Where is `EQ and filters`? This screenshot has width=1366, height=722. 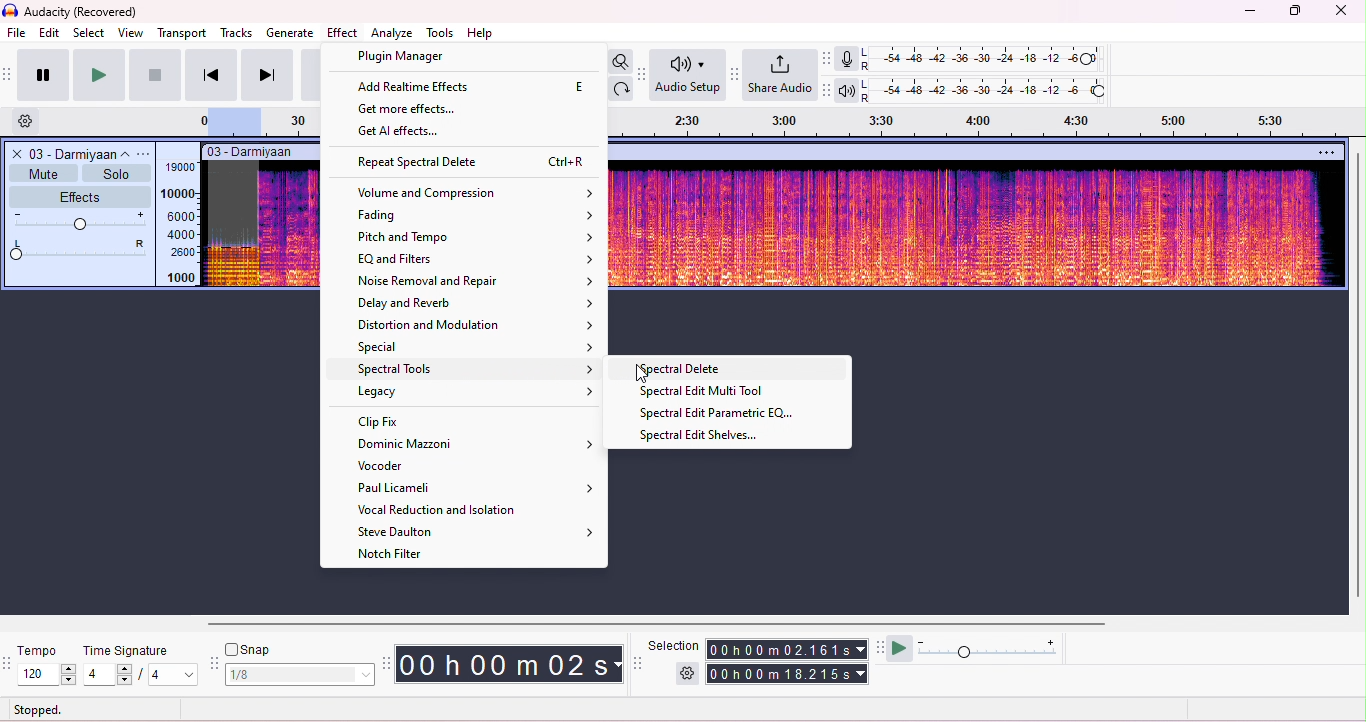 EQ and filters is located at coordinates (476, 259).